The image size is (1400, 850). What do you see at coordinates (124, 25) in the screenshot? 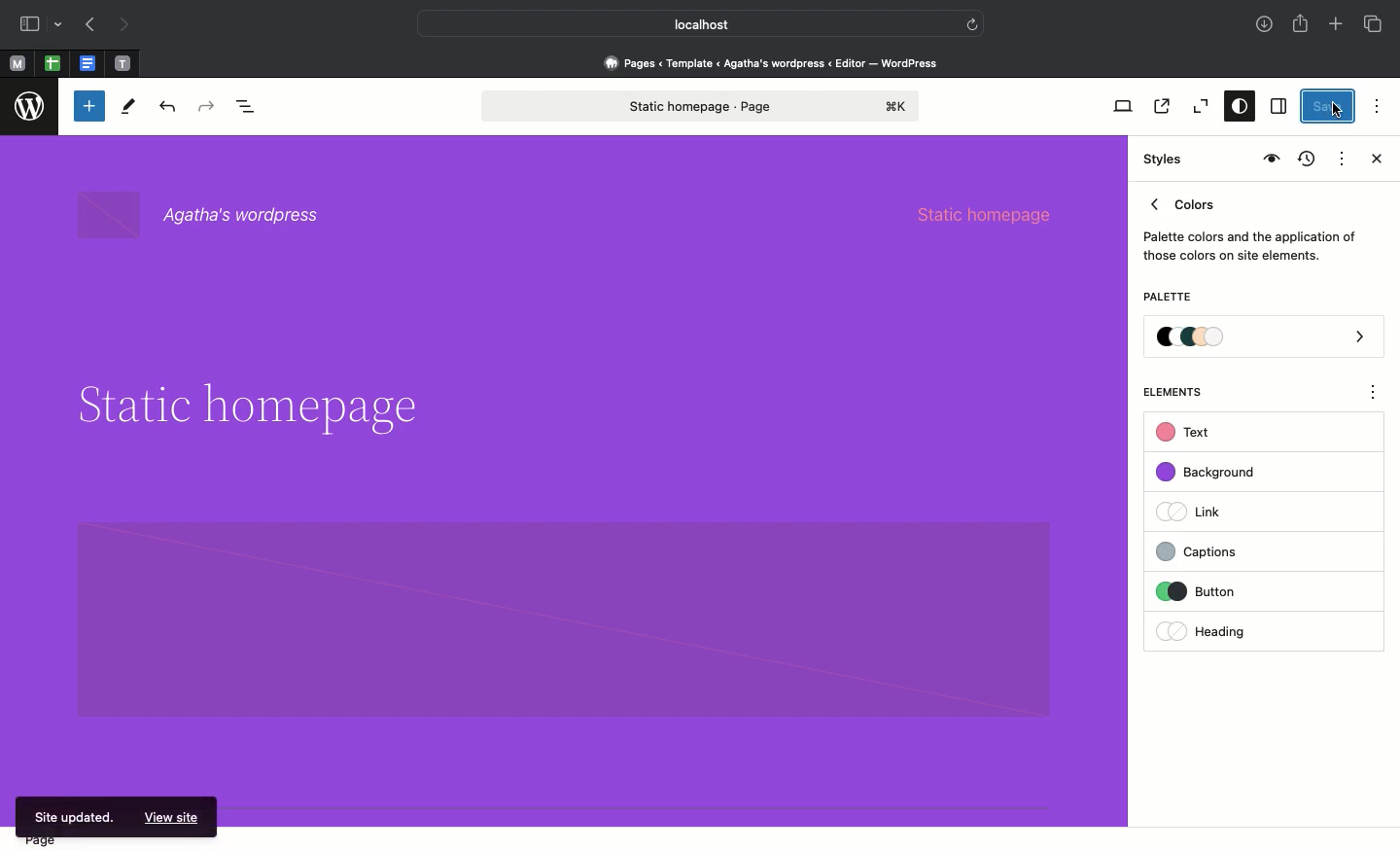
I see `Next page` at bounding box center [124, 25].